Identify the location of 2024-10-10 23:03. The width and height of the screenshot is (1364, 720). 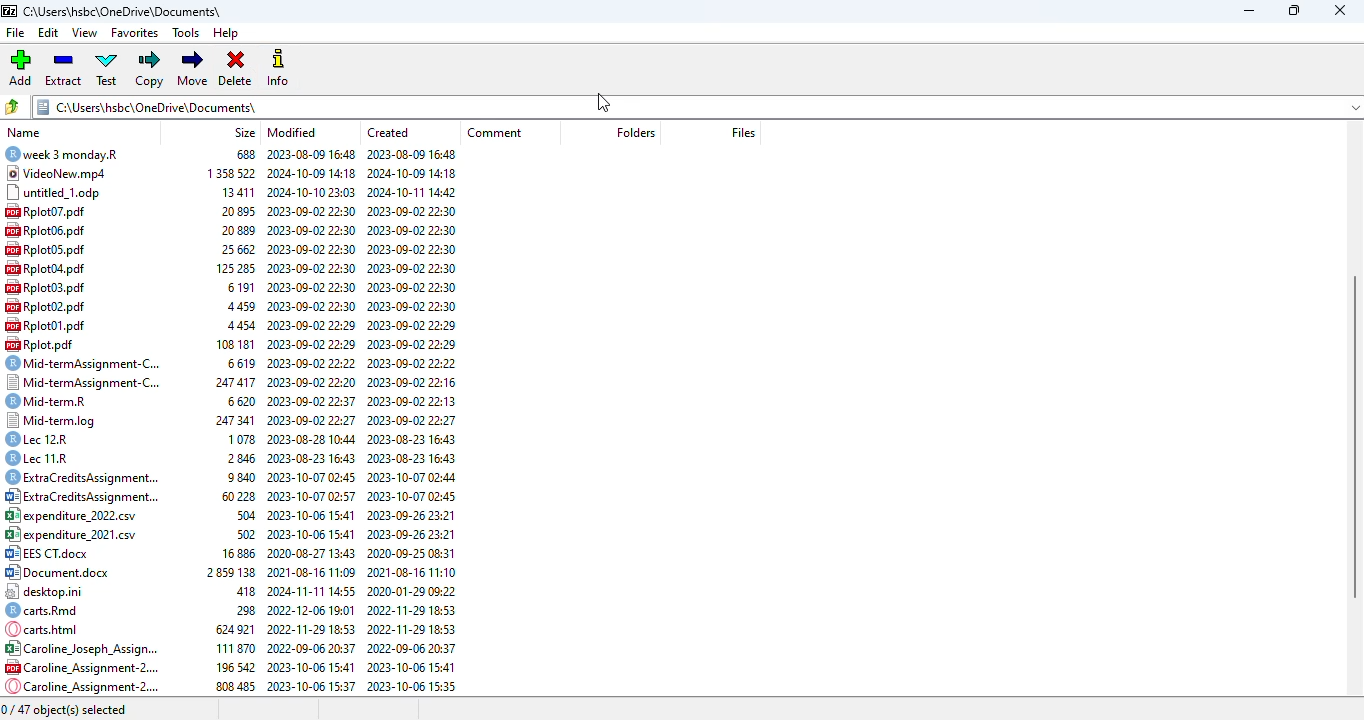
(310, 193).